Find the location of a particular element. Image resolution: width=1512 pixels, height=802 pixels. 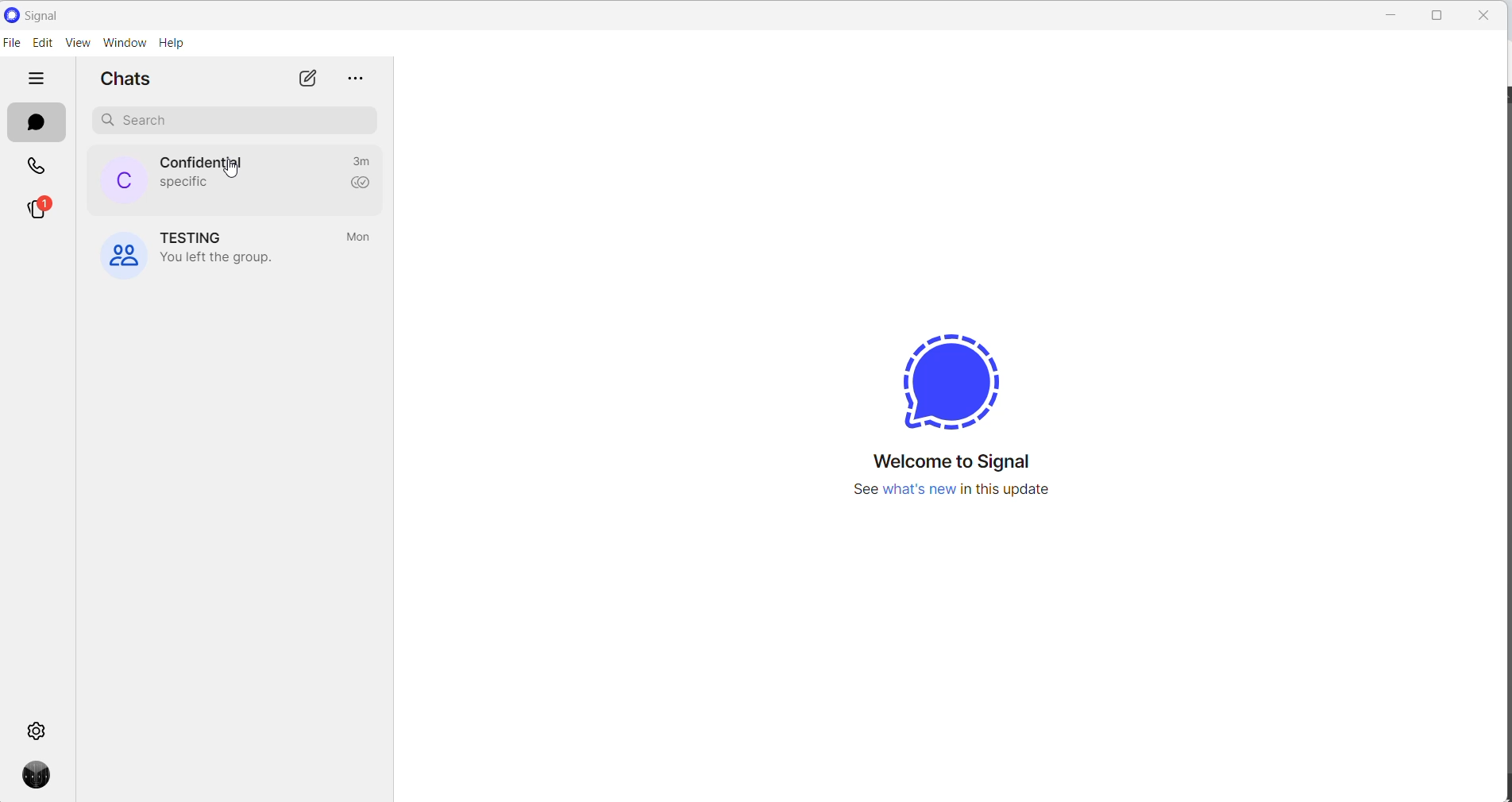

close is located at coordinates (1483, 15).